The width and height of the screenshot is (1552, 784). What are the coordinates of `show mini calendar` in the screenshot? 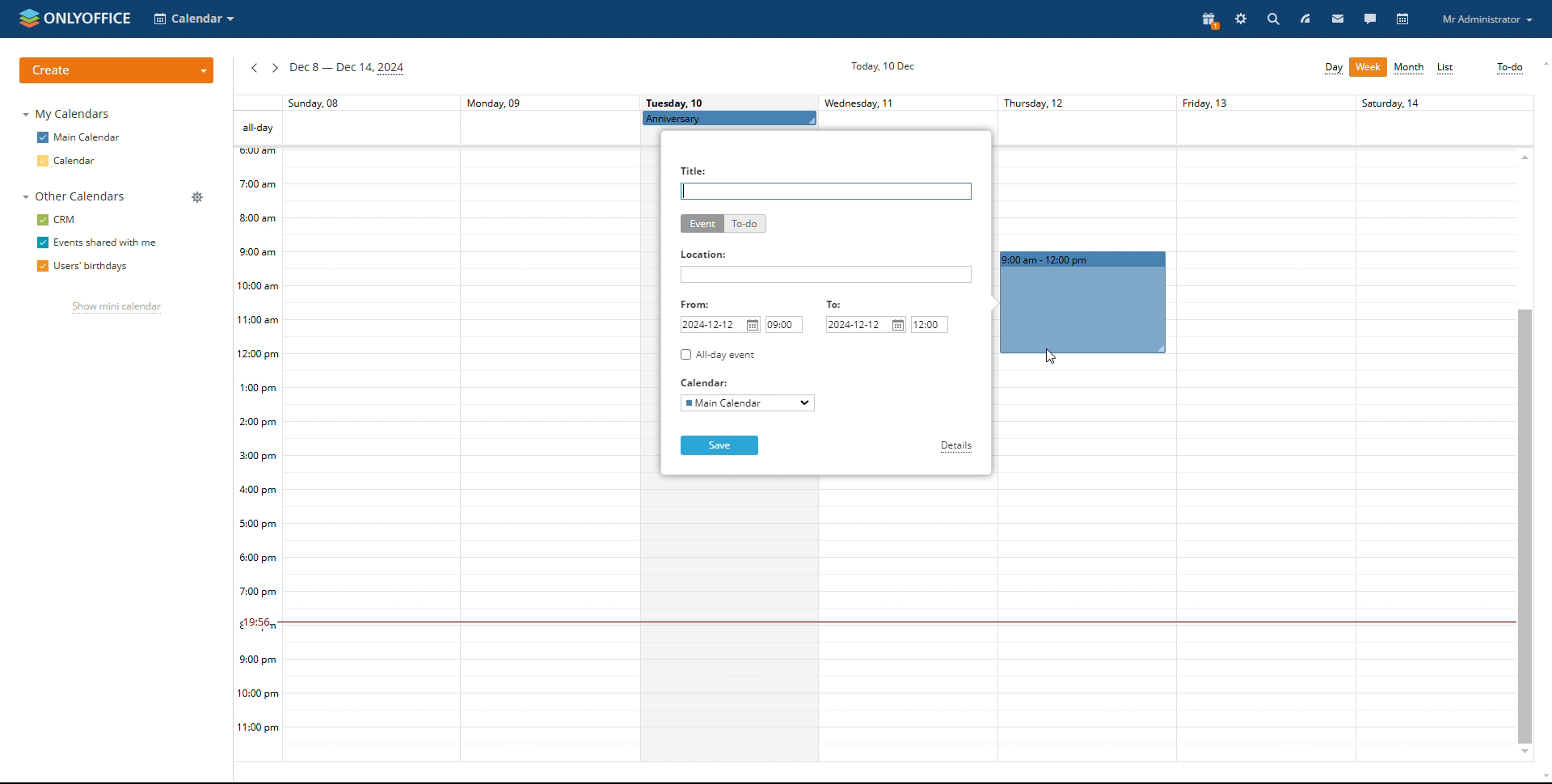 It's located at (113, 310).